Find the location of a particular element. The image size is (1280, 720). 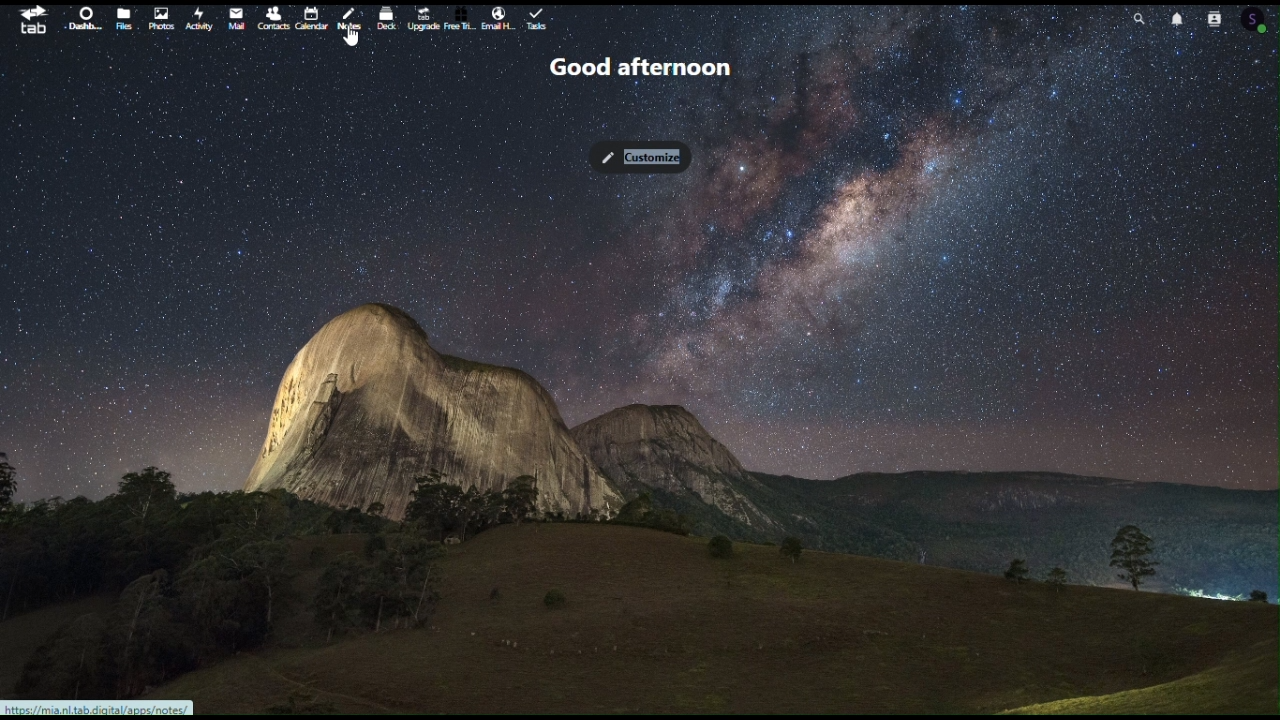

URL is located at coordinates (105, 708).